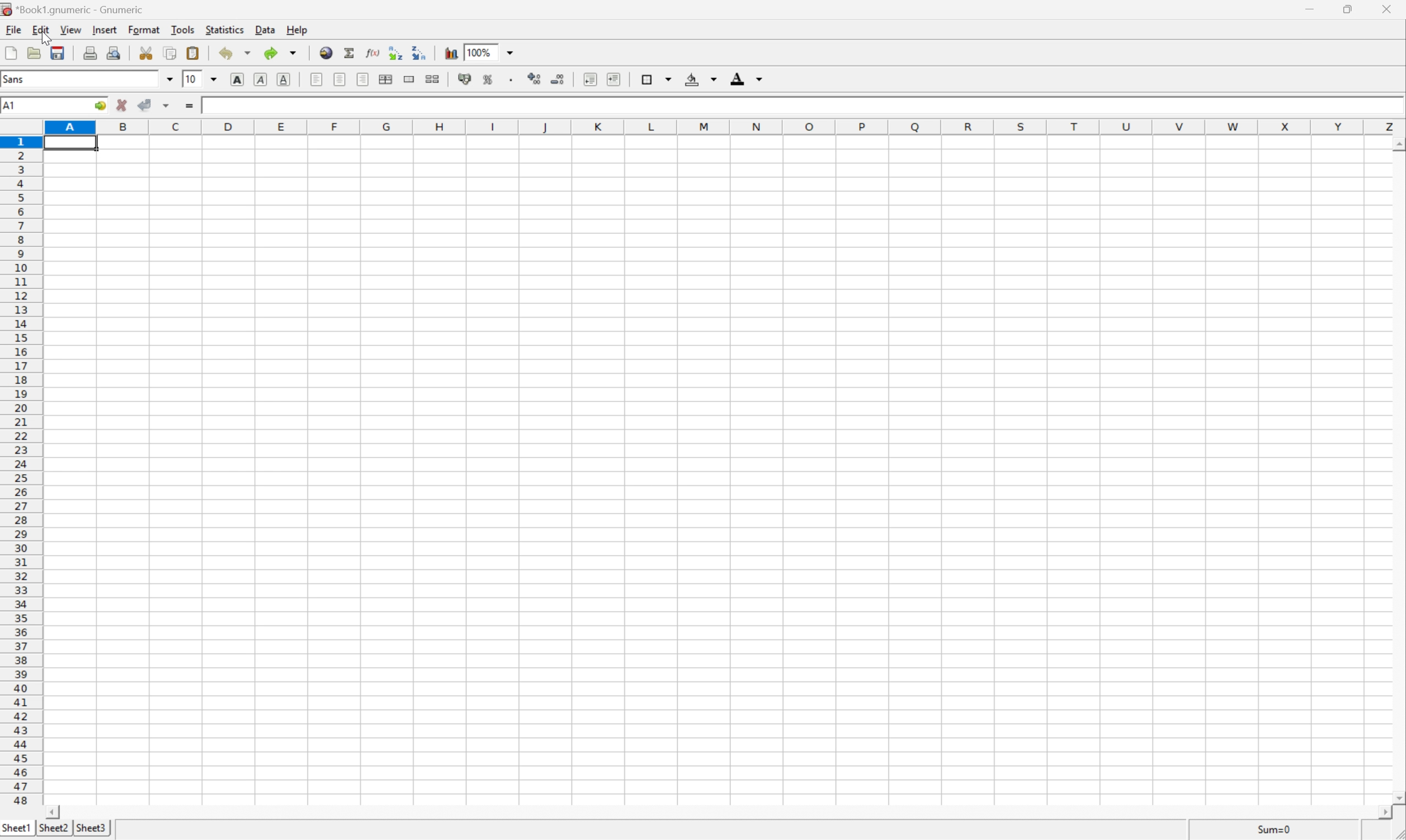 The image size is (1406, 840). I want to click on help, so click(298, 29).